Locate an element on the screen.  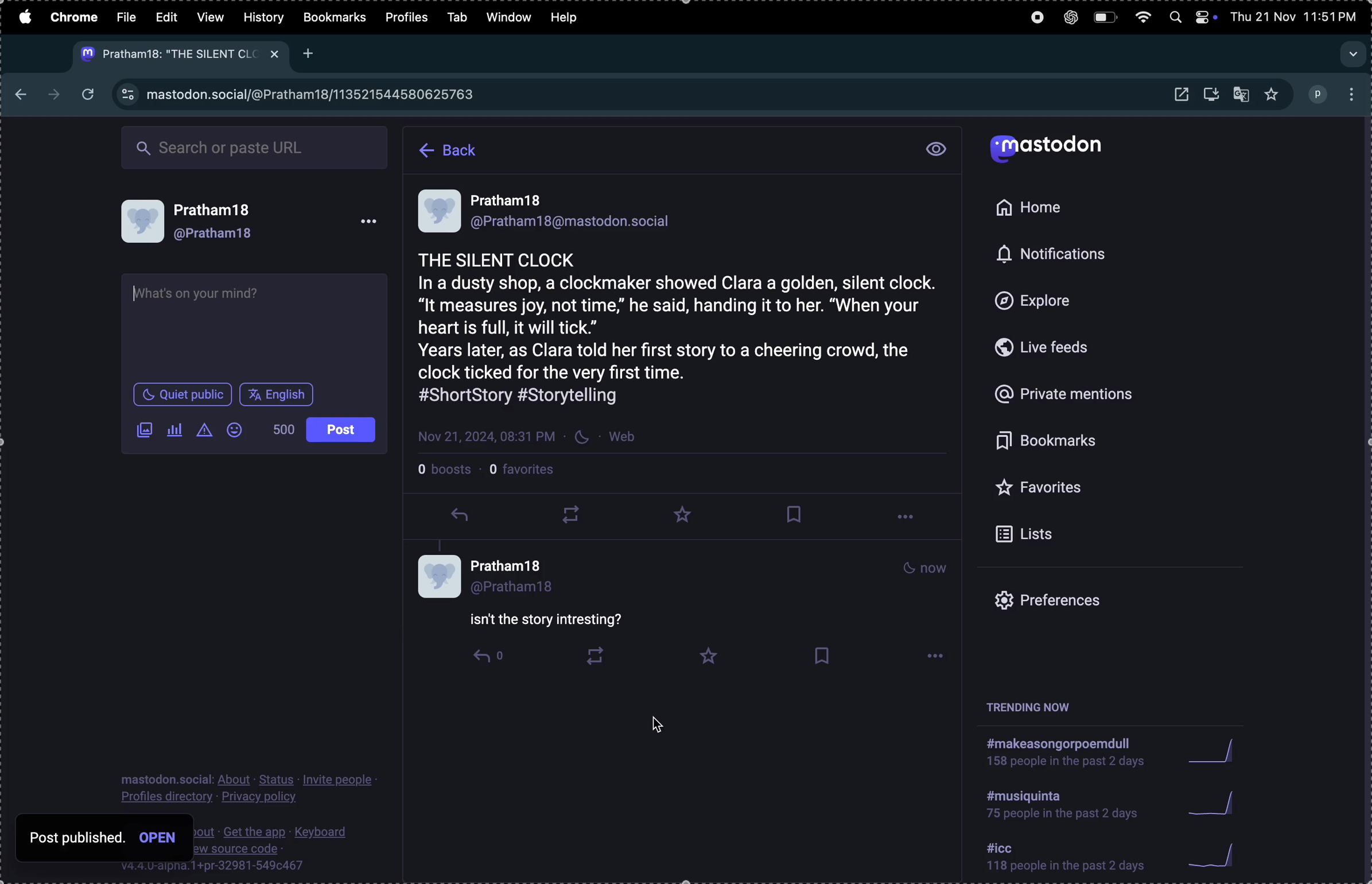
chatgpt is located at coordinates (1070, 17).